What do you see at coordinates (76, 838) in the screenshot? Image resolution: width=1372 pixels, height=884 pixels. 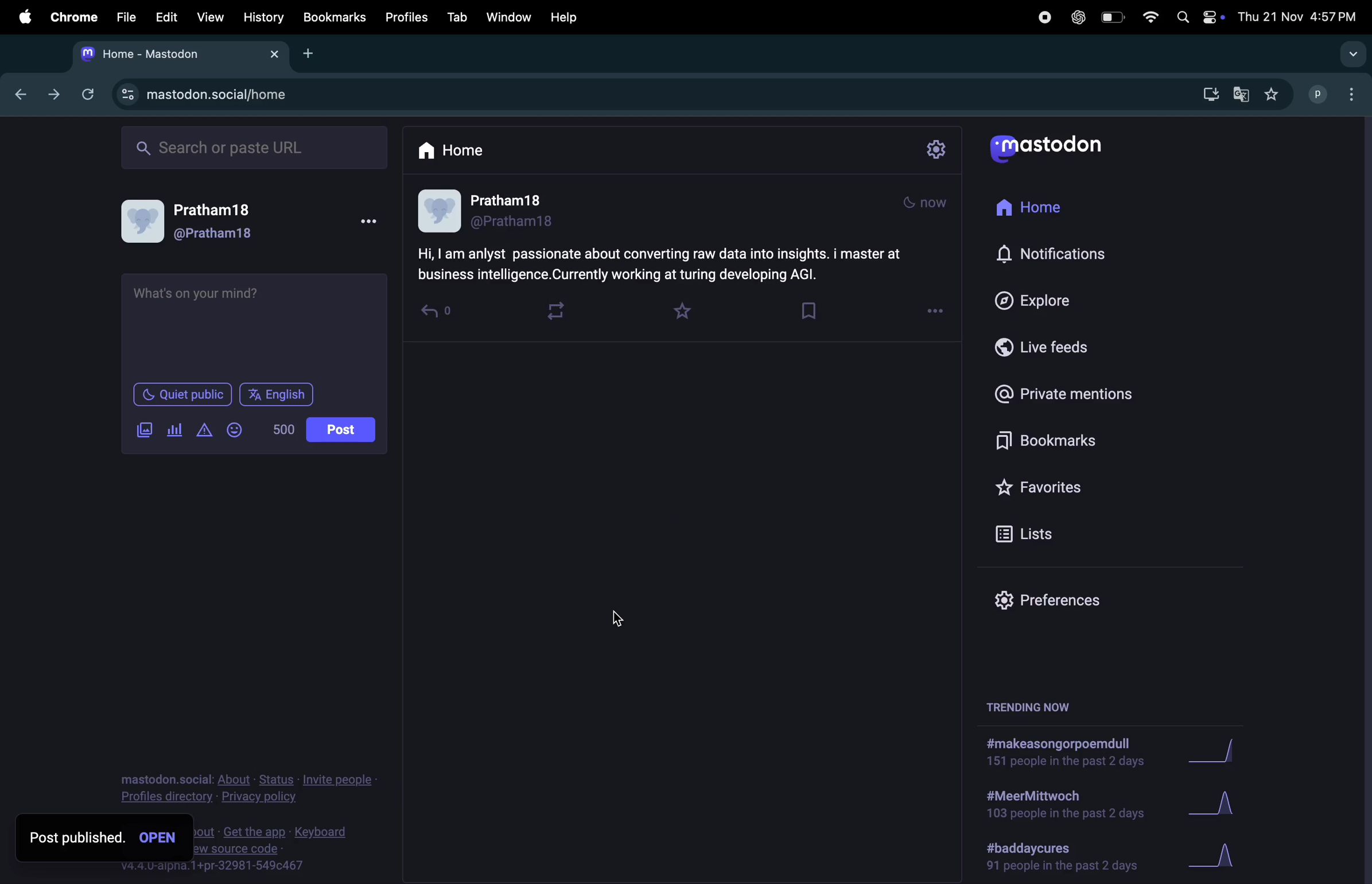 I see `post published` at bounding box center [76, 838].